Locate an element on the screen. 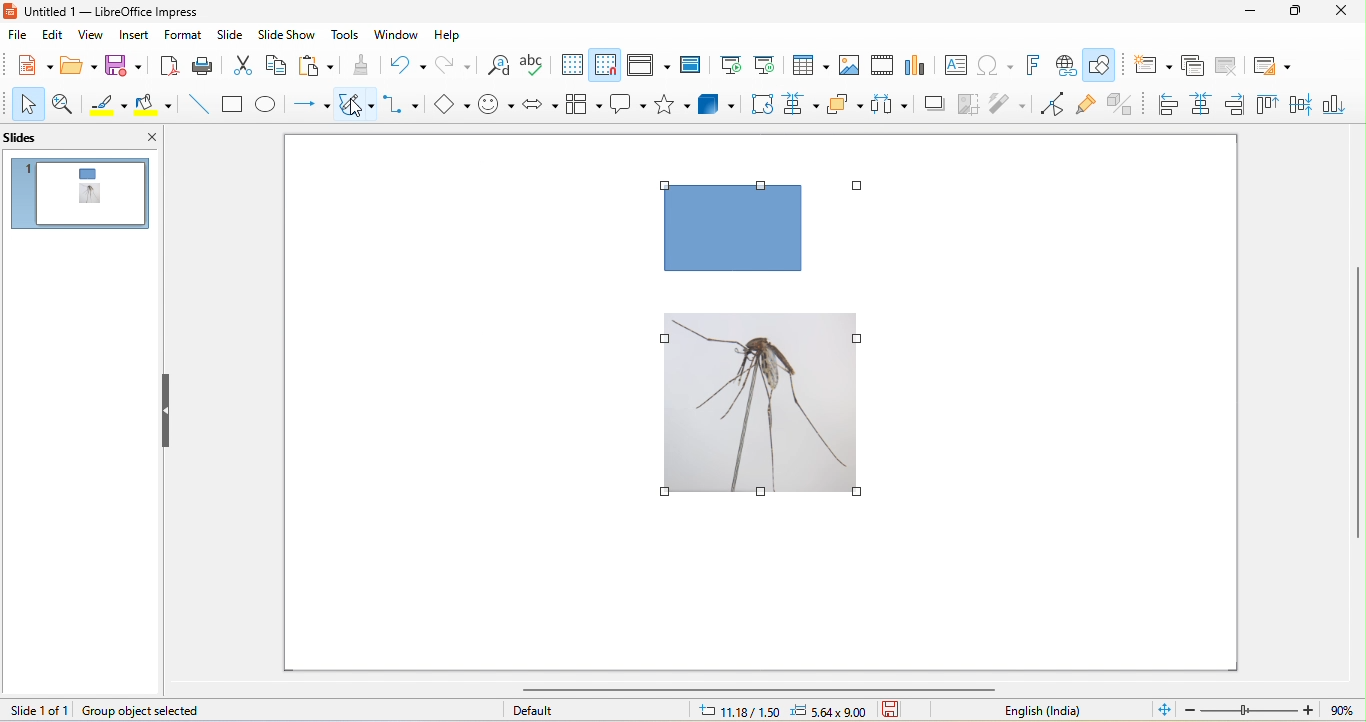  clone formatting is located at coordinates (359, 66).